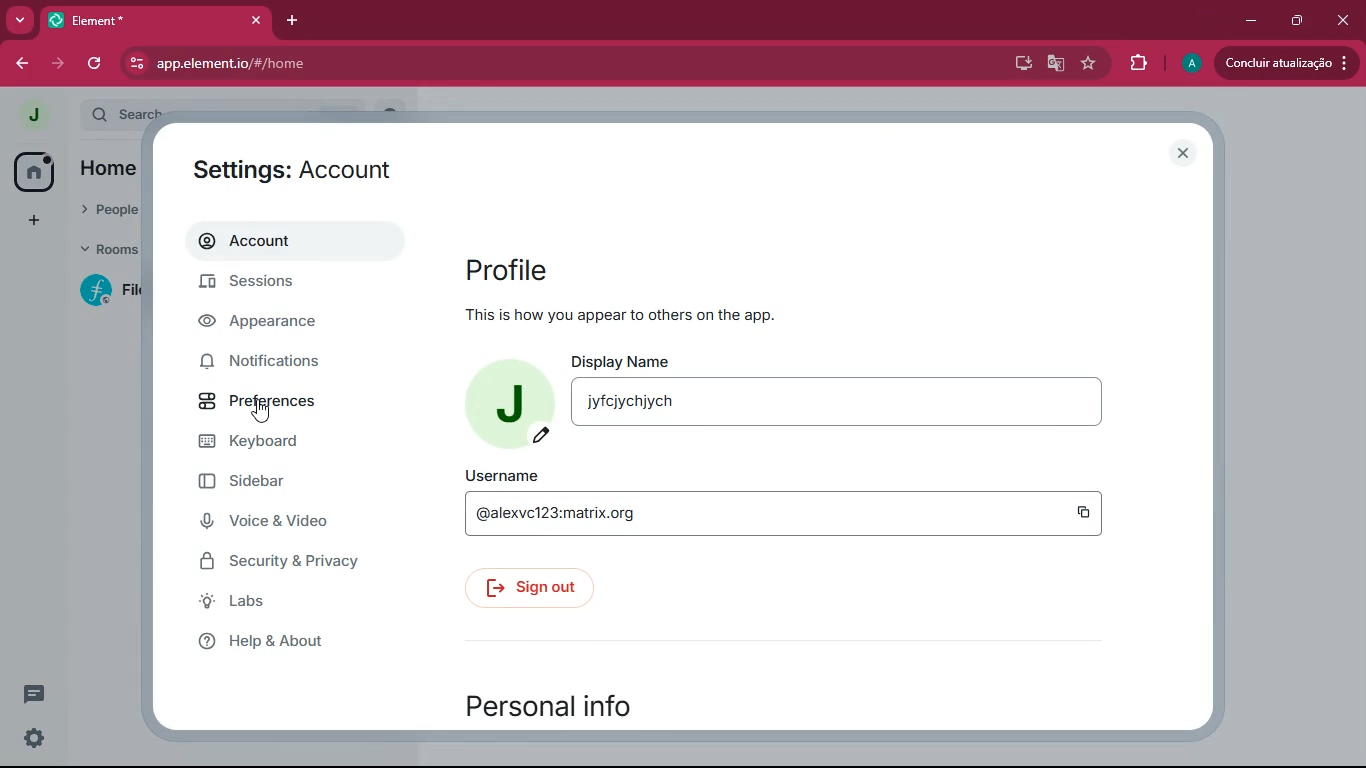  I want to click on cursor, so click(270, 418).